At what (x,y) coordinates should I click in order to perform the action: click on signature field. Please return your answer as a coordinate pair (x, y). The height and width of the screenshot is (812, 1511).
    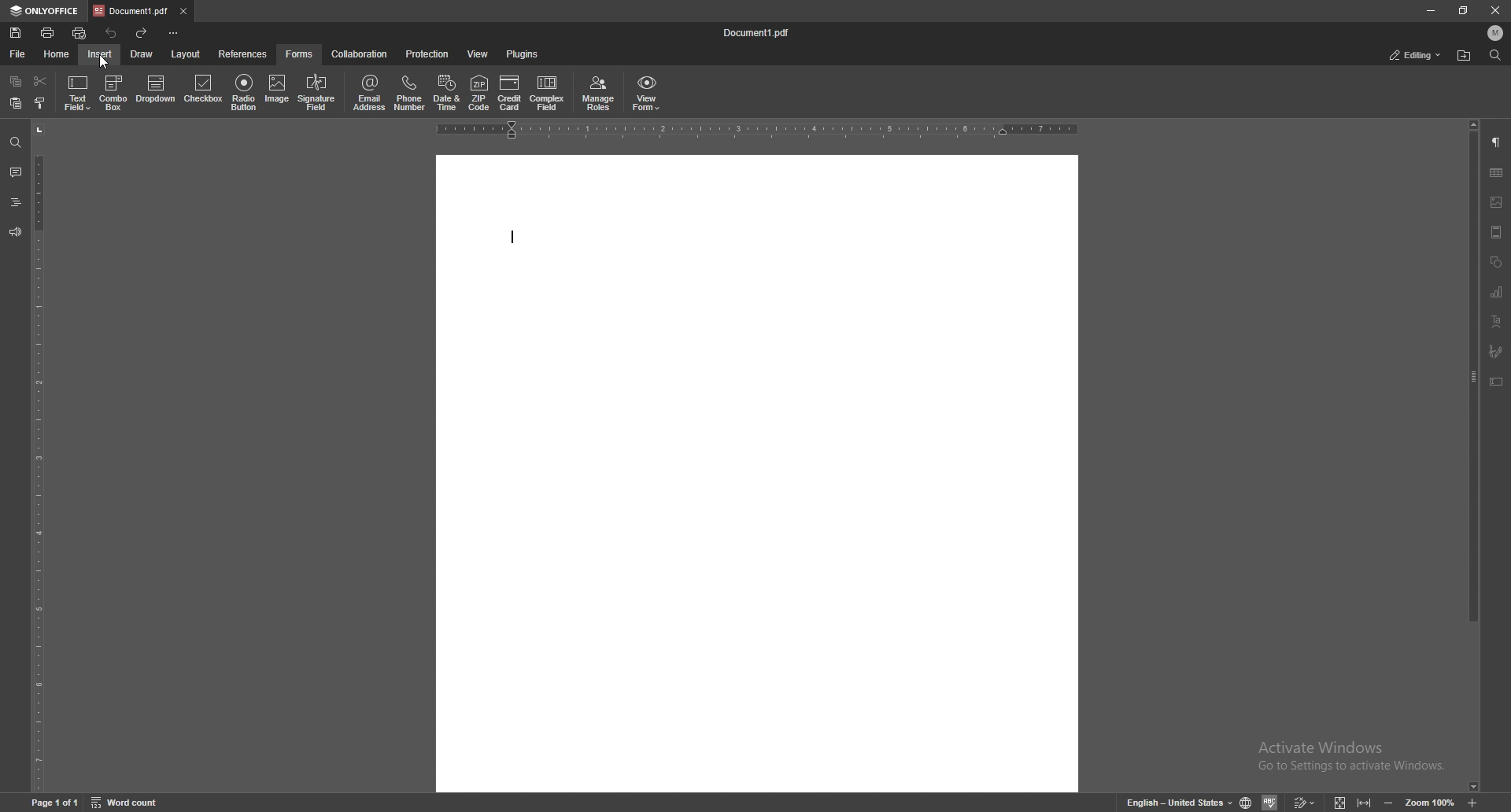
    Looking at the image, I should click on (317, 93).